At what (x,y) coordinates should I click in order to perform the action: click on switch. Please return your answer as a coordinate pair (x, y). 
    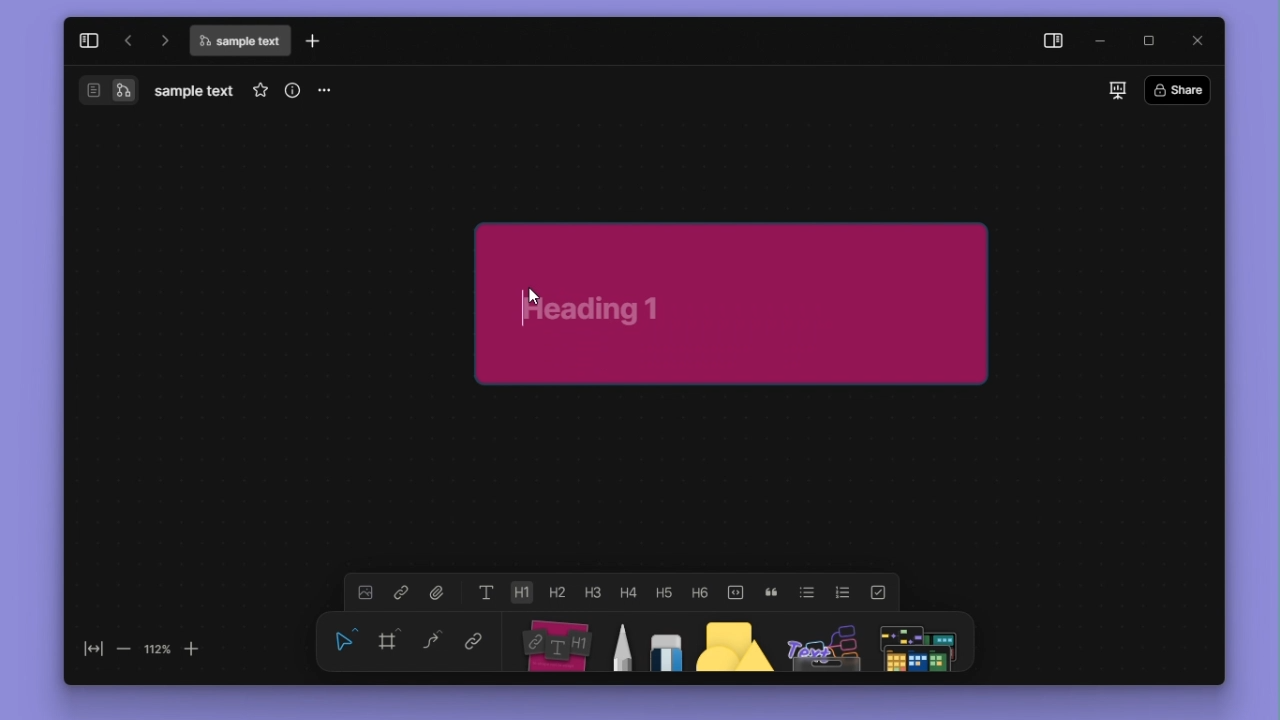
    Looking at the image, I should click on (94, 90).